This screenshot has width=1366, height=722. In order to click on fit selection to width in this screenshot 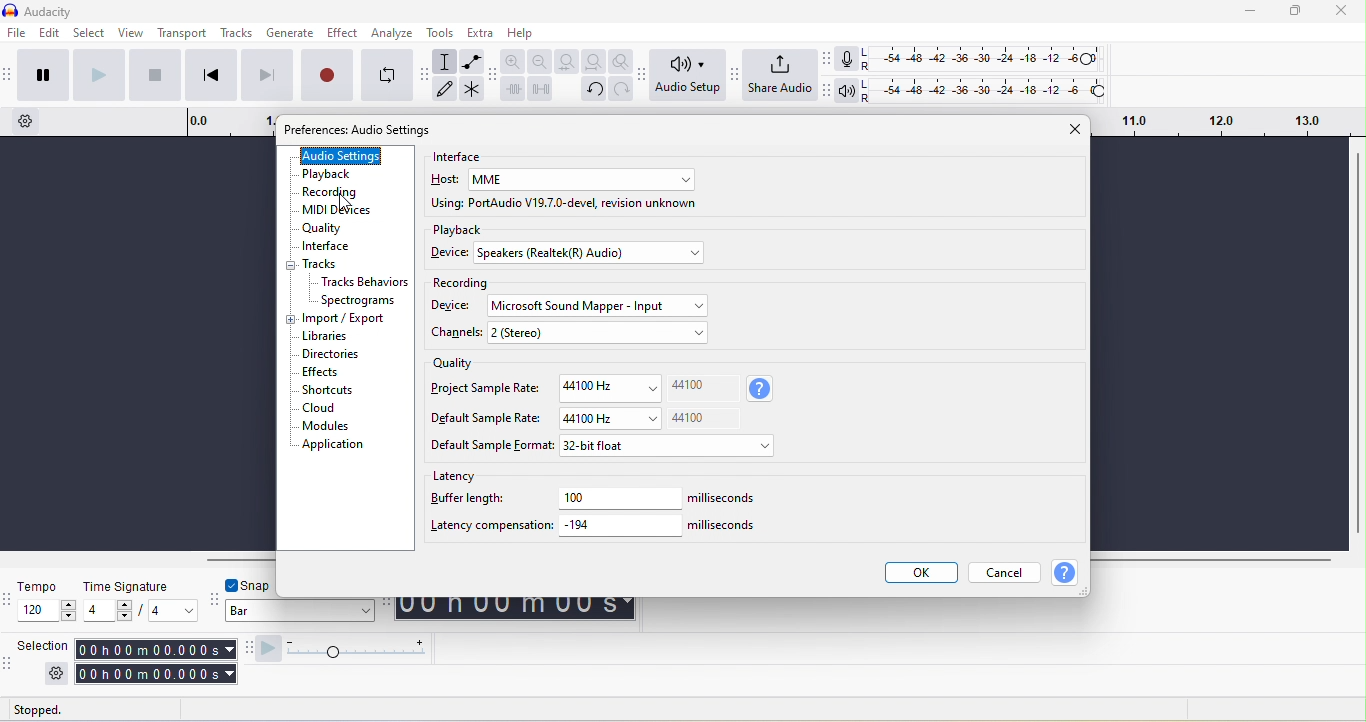, I will do `click(566, 61)`.